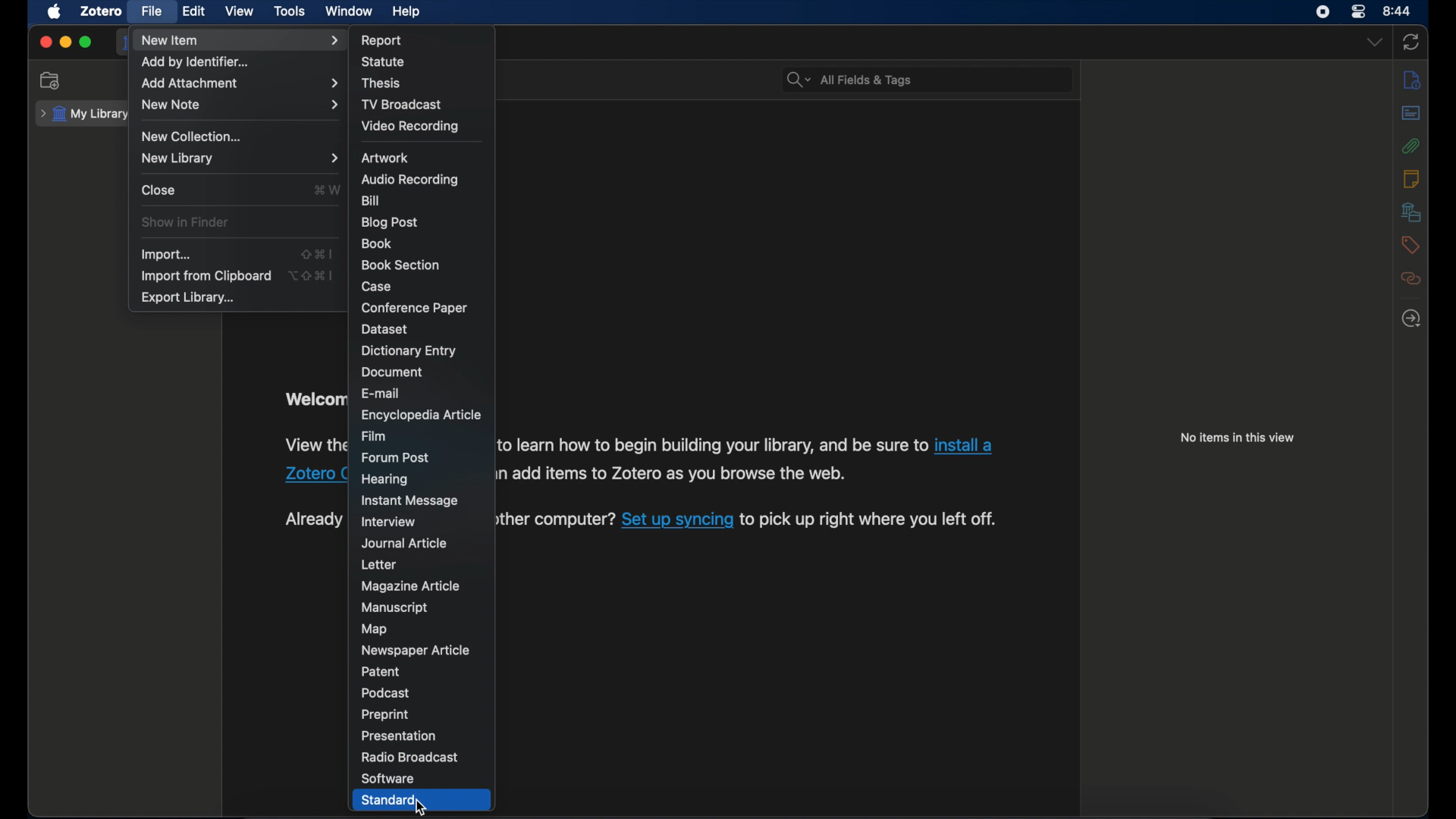 The image size is (1456, 819). What do you see at coordinates (422, 415) in the screenshot?
I see `encyclopedia article` at bounding box center [422, 415].